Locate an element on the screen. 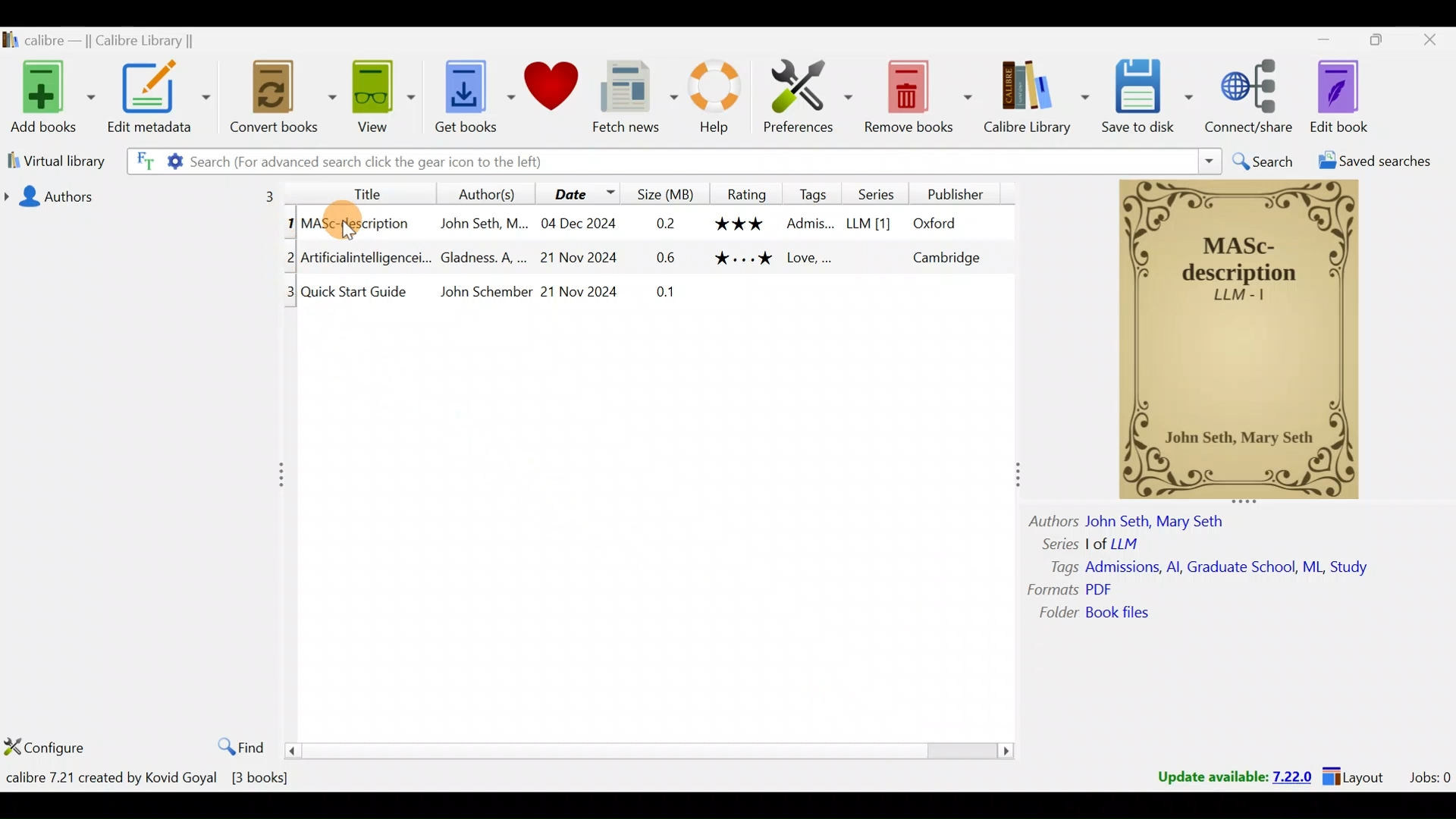  scroll bar is located at coordinates (650, 748).